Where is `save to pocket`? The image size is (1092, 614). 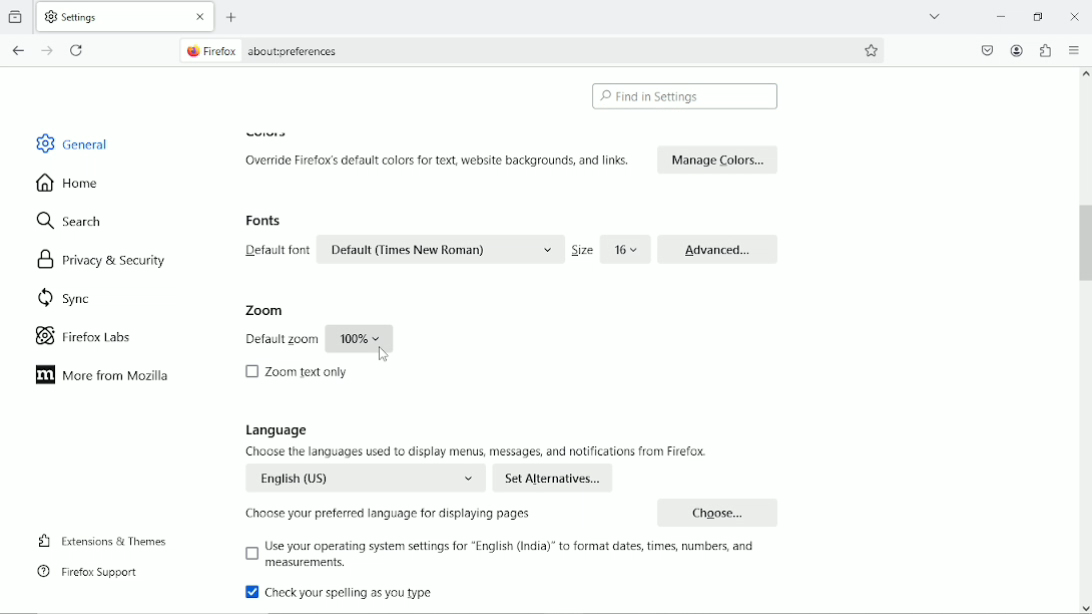 save to pocket is located at coordinates (985, 50).